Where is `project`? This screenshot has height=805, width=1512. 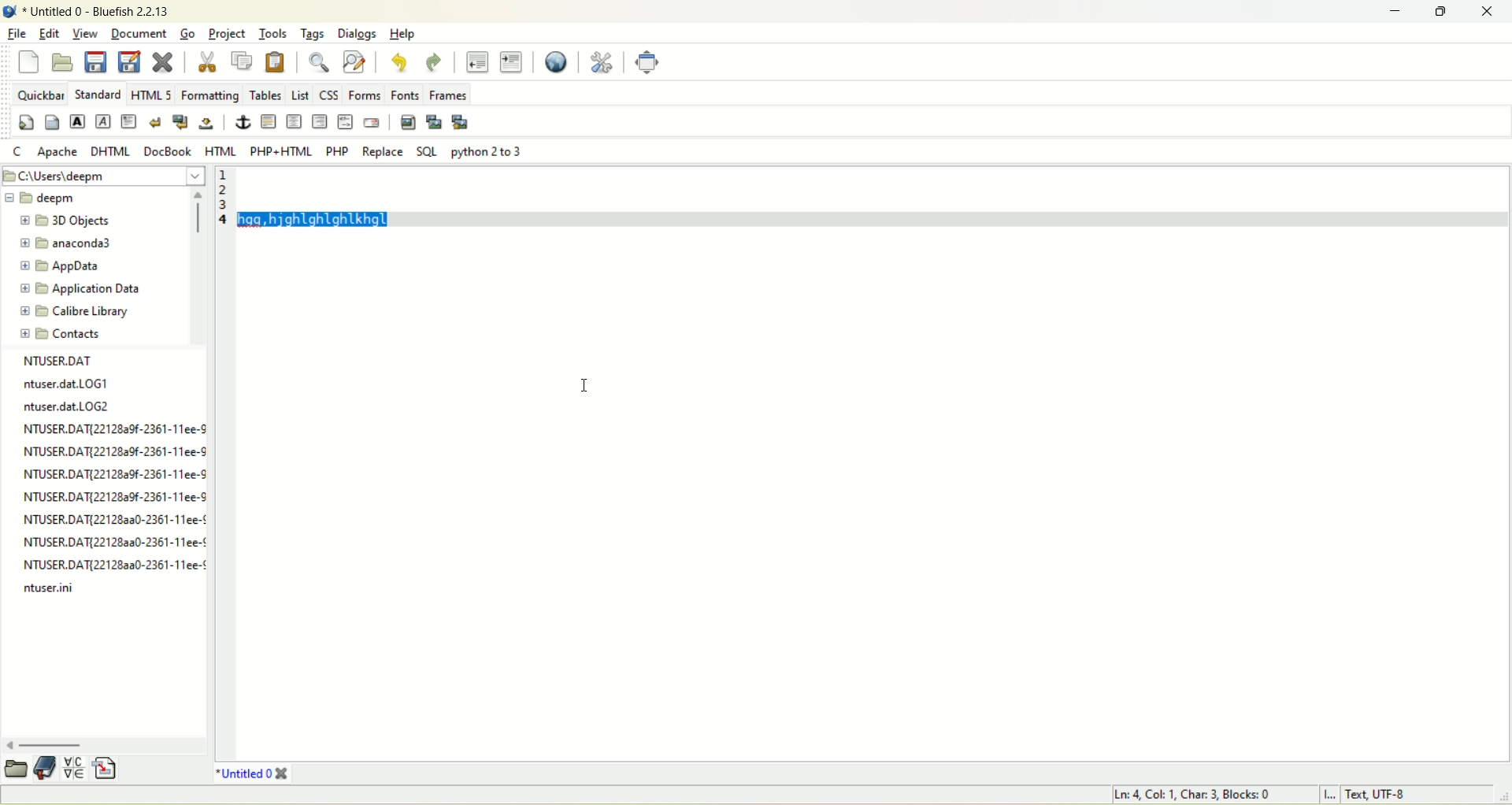
project is located at coordinates (228, 35).